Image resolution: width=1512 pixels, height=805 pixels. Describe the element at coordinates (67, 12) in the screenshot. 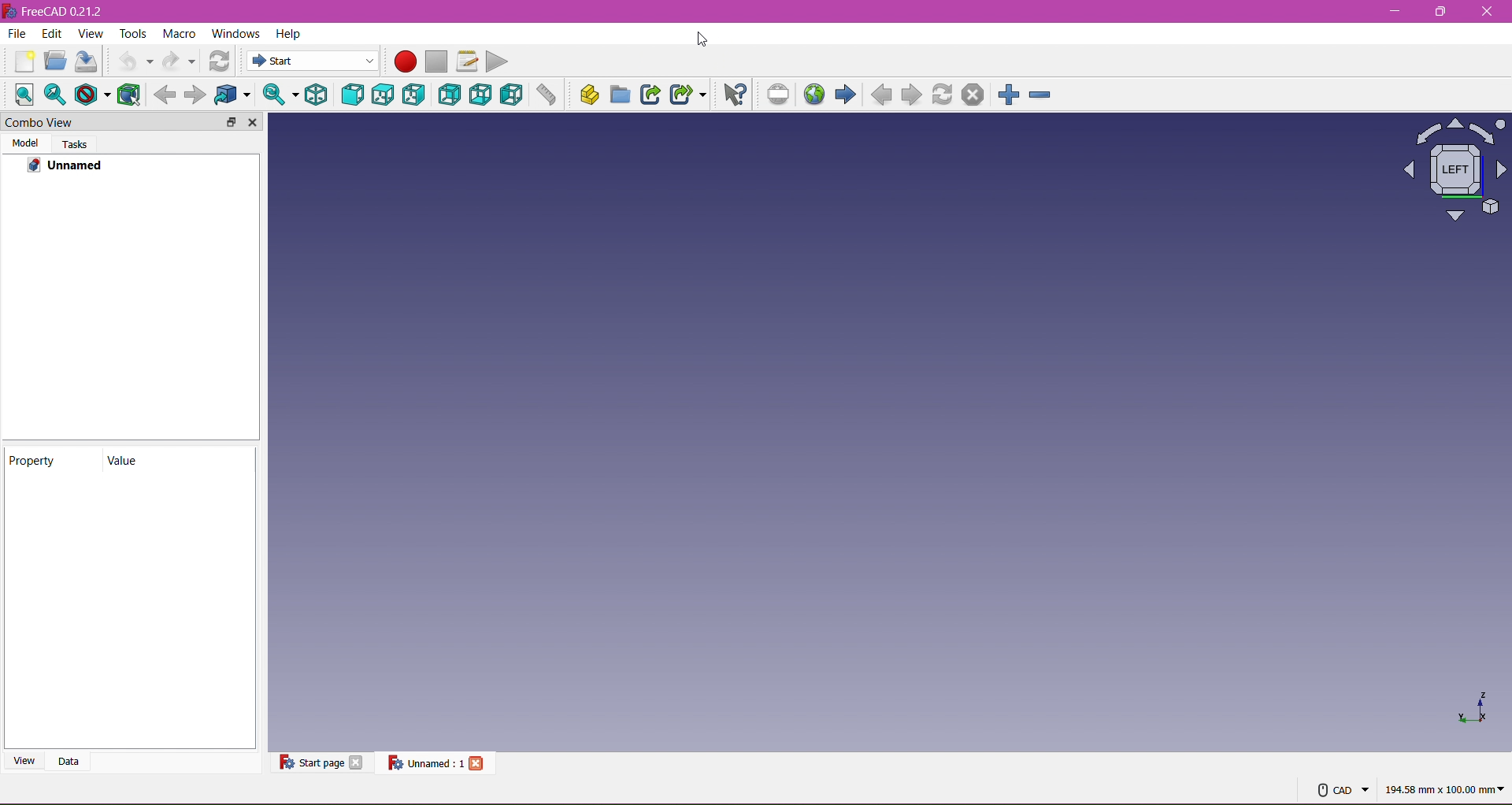

I see `freecad021.2` at that location.